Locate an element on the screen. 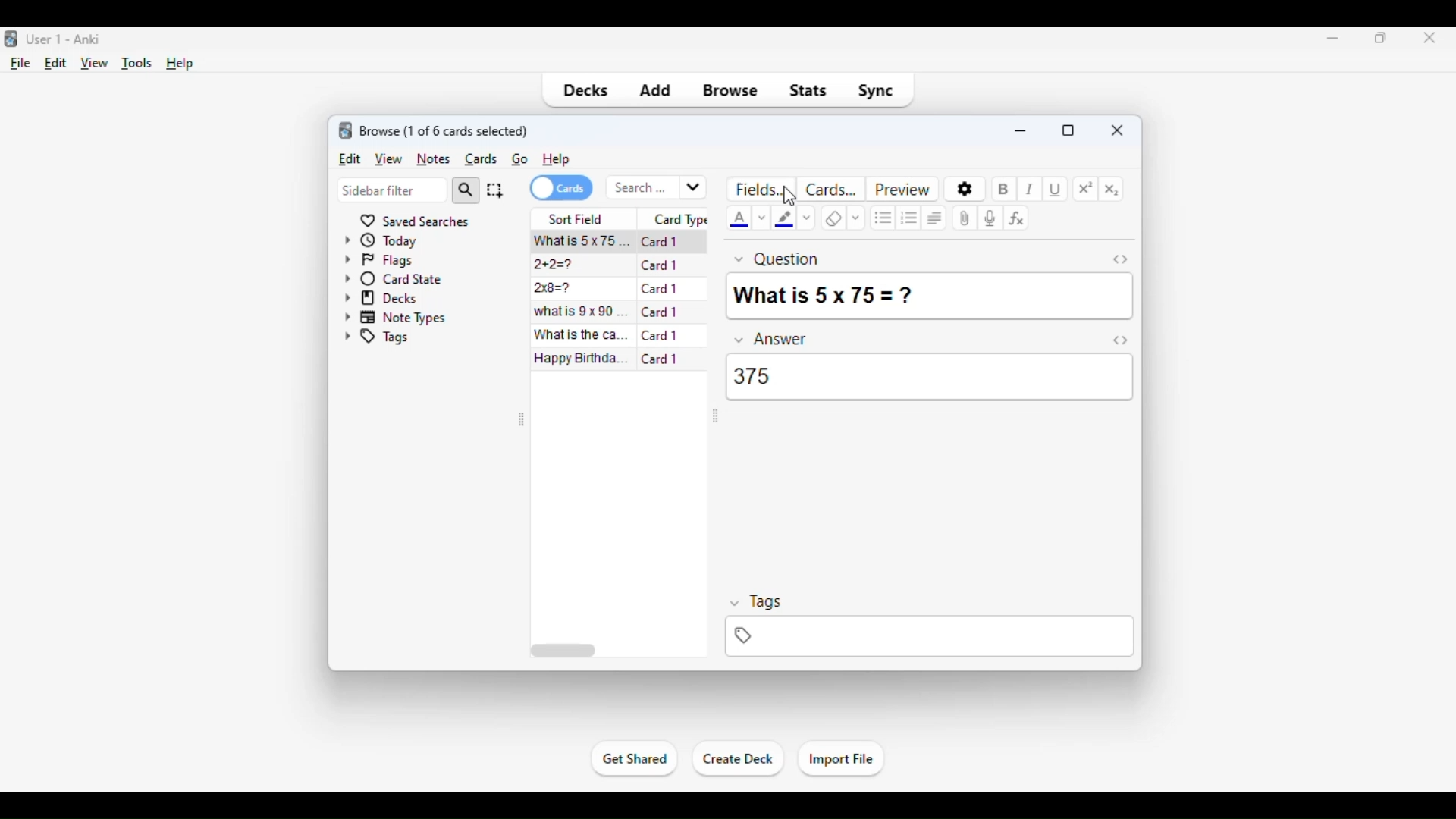  cursor is located at coordinates (790, 196).